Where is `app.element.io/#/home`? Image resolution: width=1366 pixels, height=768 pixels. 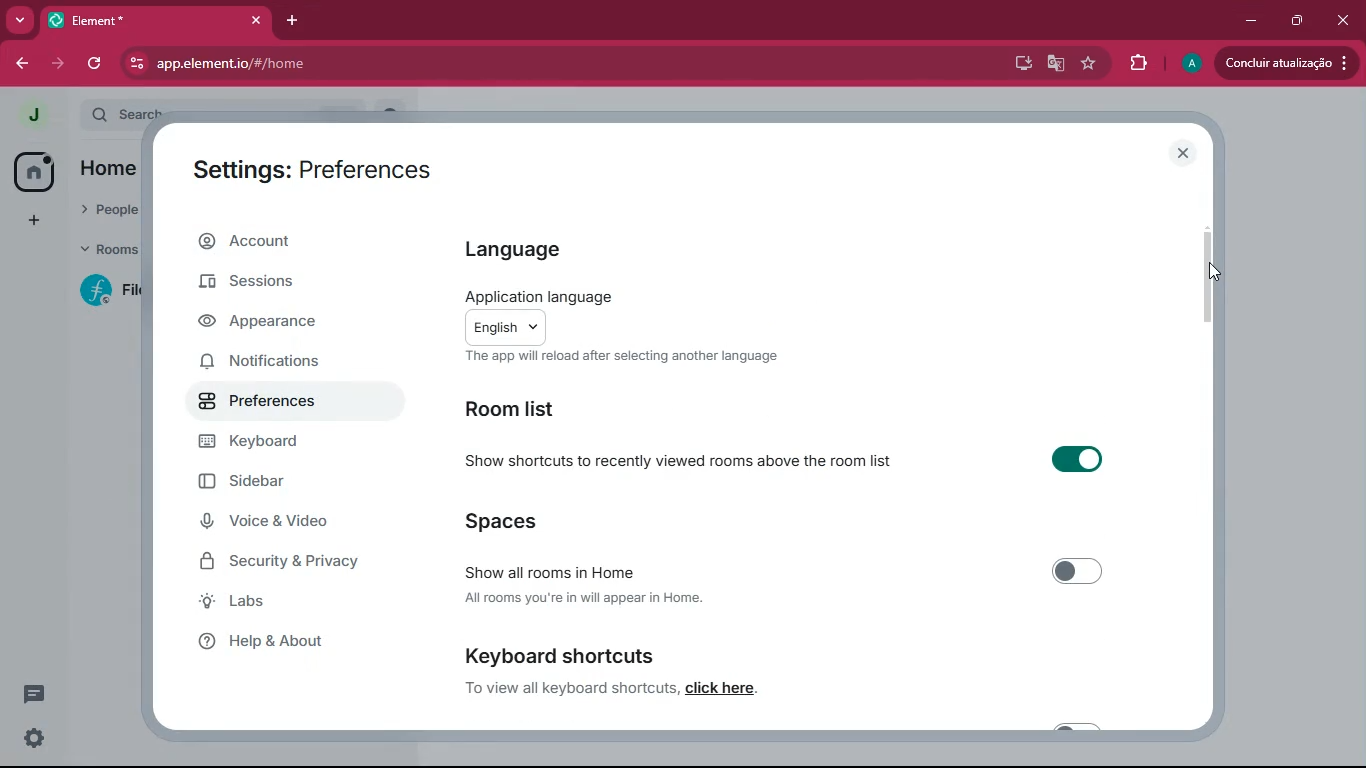 app.element.io/#/home is located at coordinates (495, 65).